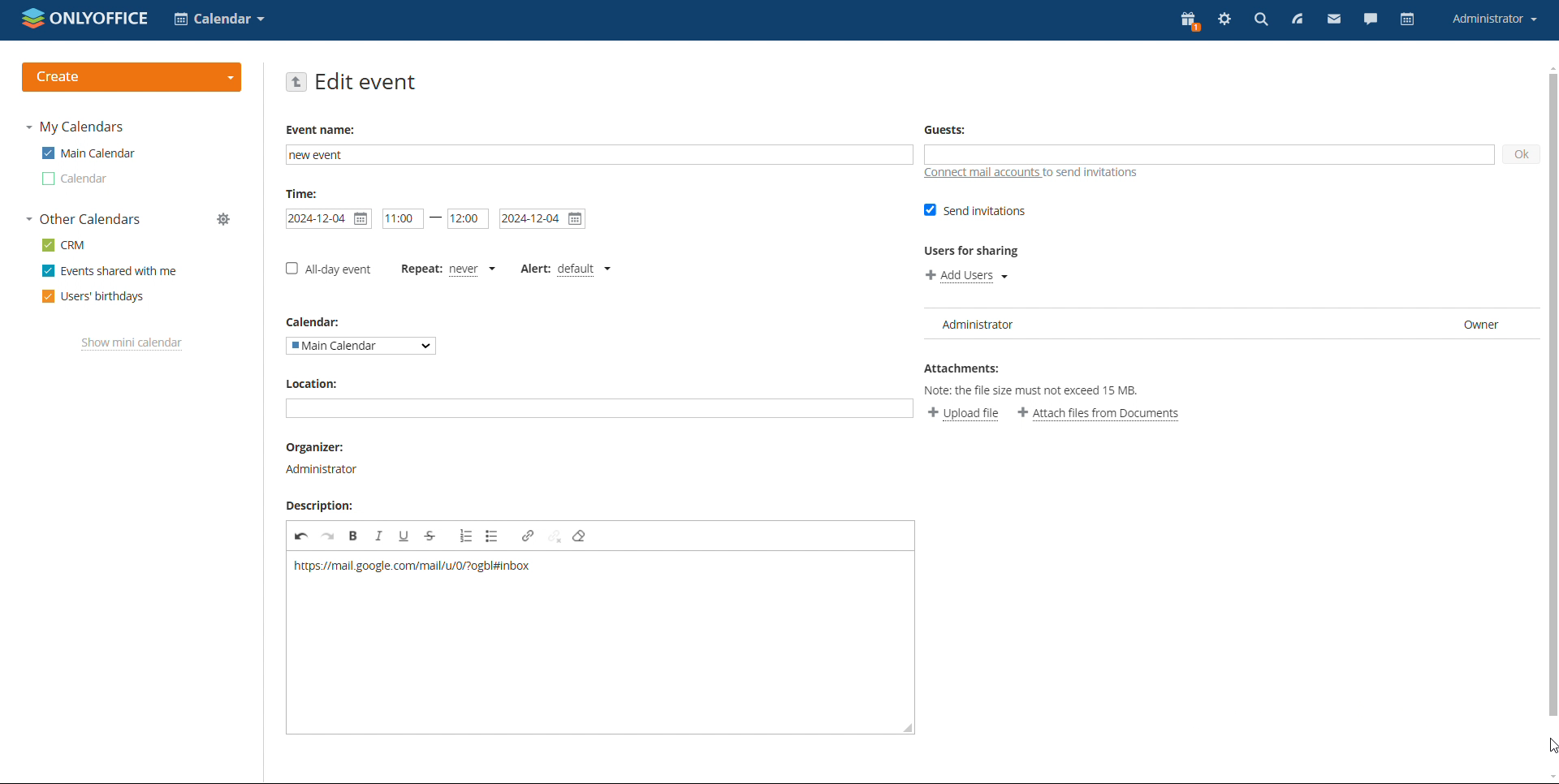 This screenshot has width=1559, height=784. Describe the element at coordinates (419, 267) in the screenshot. I see `set repetition` at that location.